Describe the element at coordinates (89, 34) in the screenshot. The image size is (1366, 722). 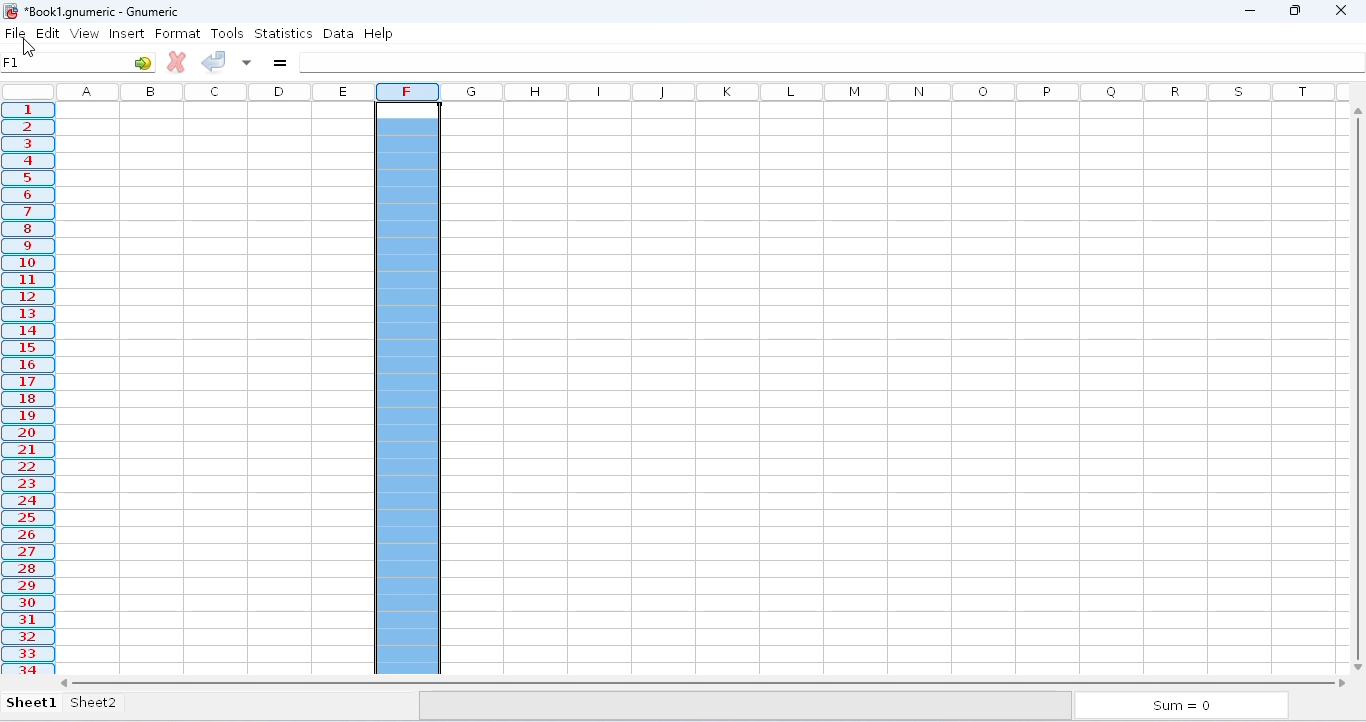
I see `view` at that location.